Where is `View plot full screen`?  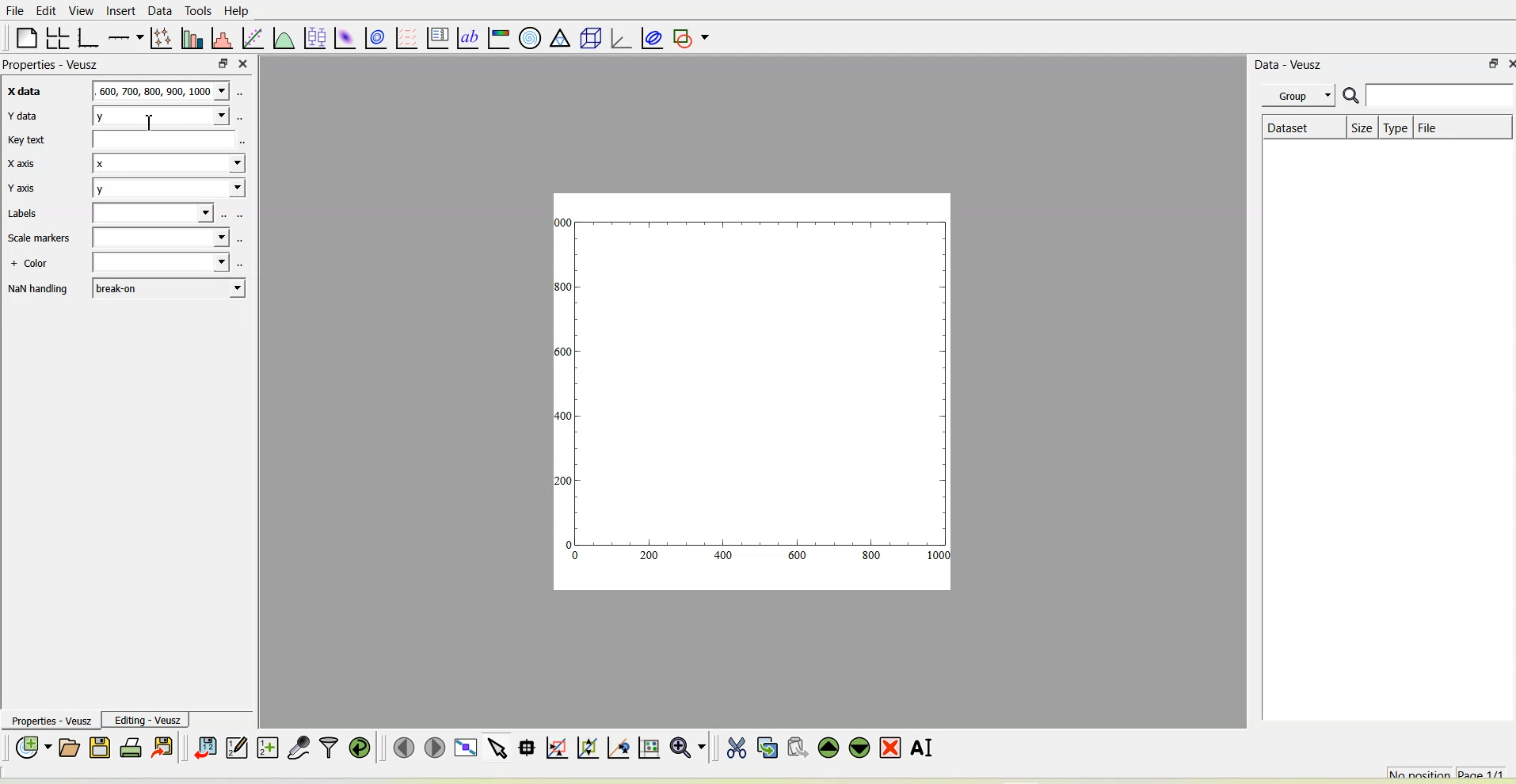
View plot full screen is located at coordinates (466, 748).